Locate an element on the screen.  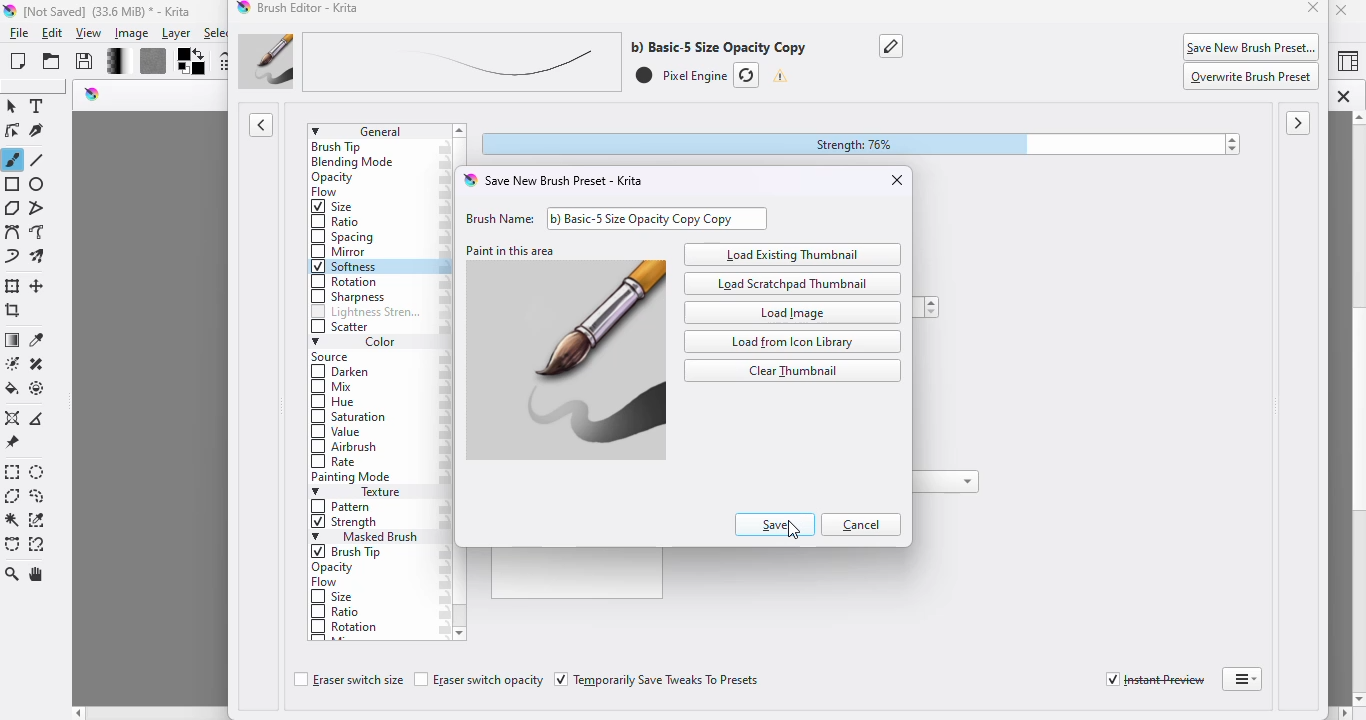
rotation is located at coordinates (343, 282).